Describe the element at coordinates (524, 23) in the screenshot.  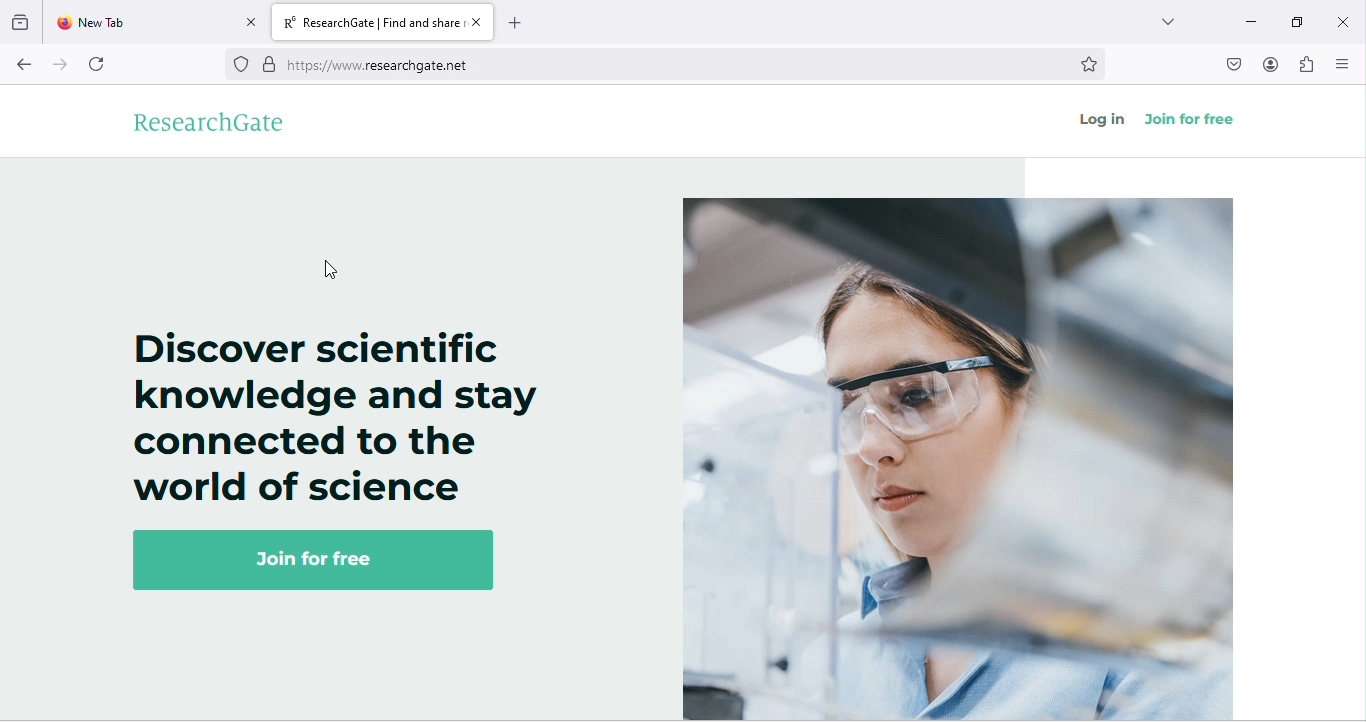
I see `add` at that location.